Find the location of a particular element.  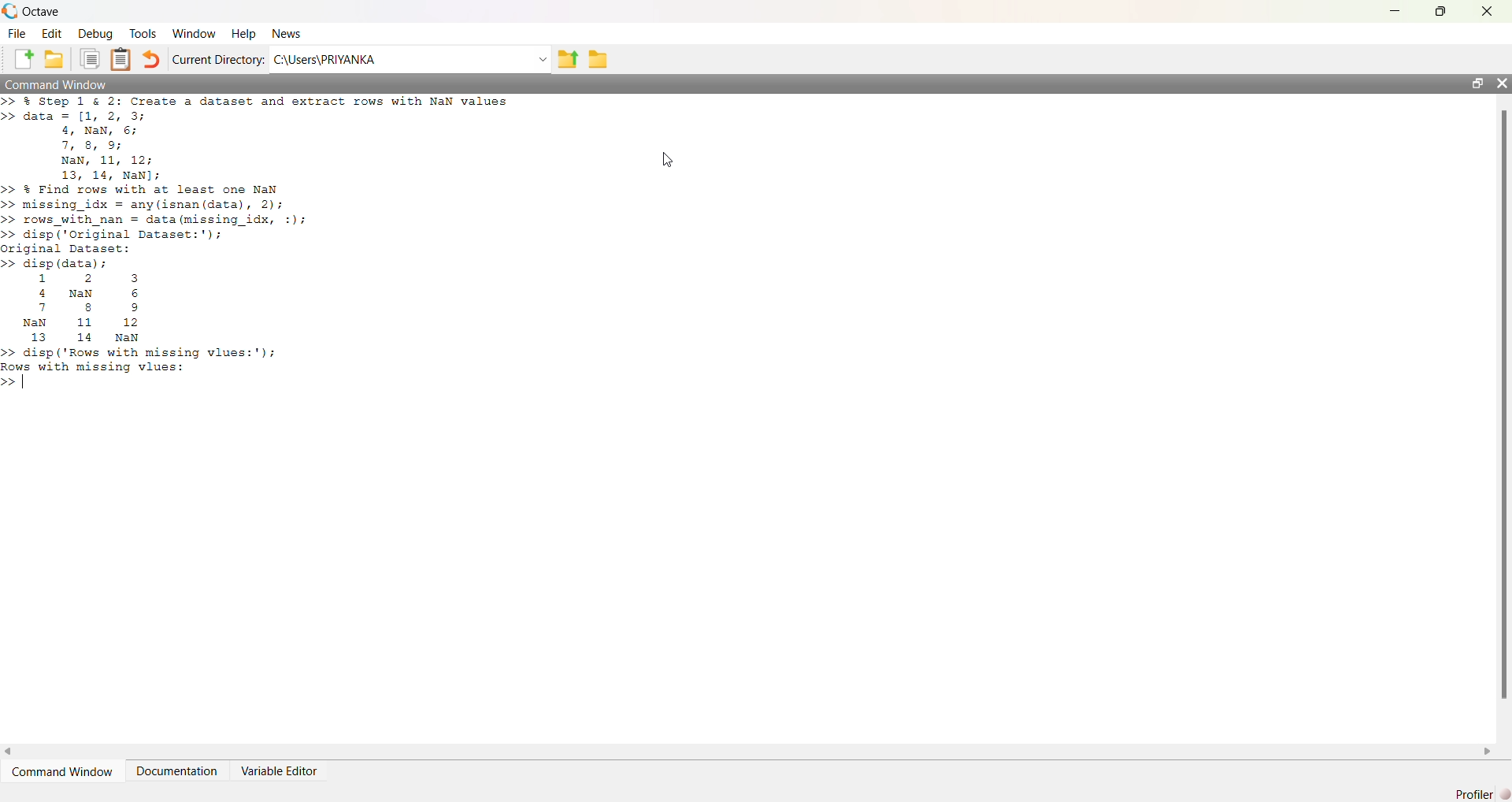

Help is located at coordinates (243, 35).